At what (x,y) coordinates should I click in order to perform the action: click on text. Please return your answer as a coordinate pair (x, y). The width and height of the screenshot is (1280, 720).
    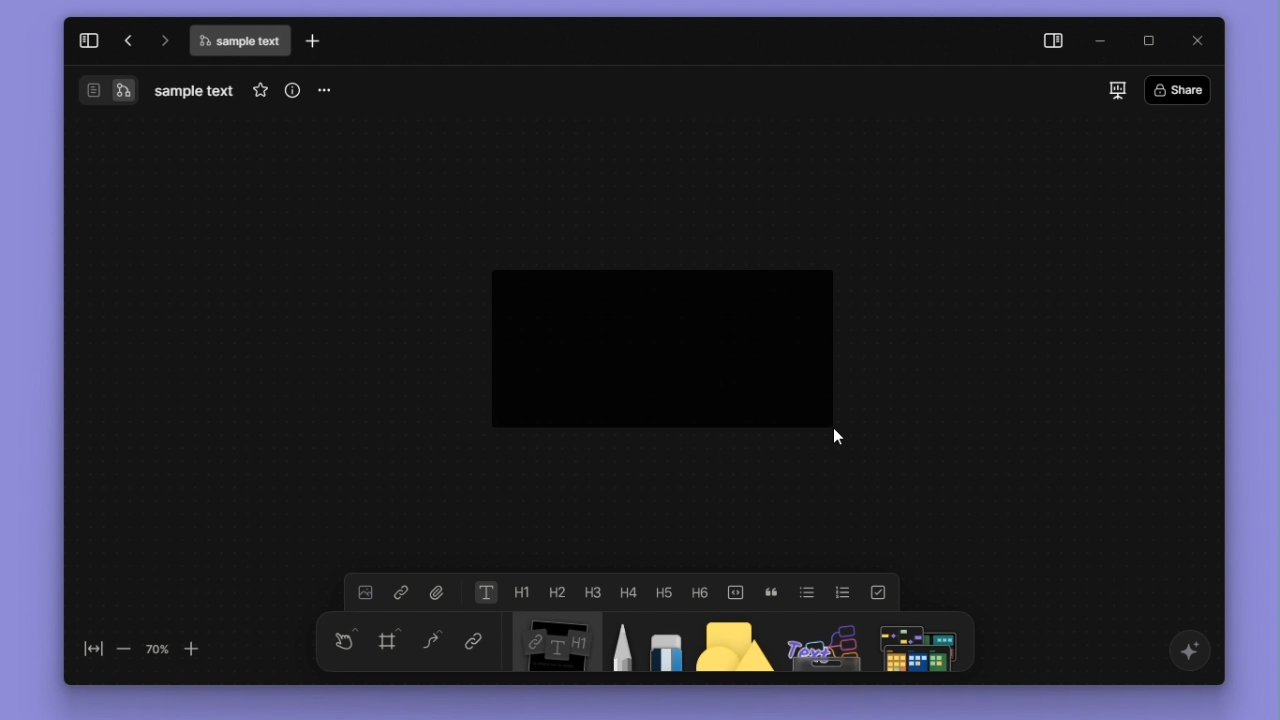
    Looking at the image, I should click on (485, 593).